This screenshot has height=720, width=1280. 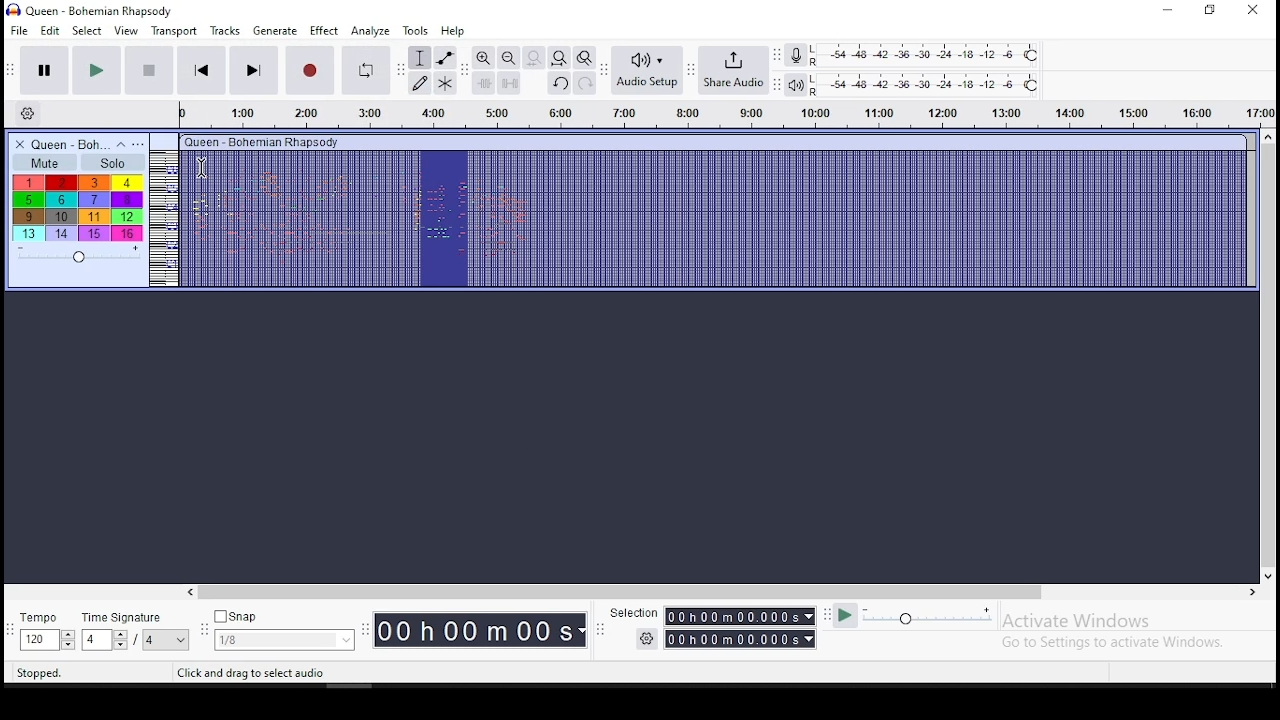 What do you see at coordinates (940, 54) in the screenshot?
I see `recording level` at bounding box center [940, 54].